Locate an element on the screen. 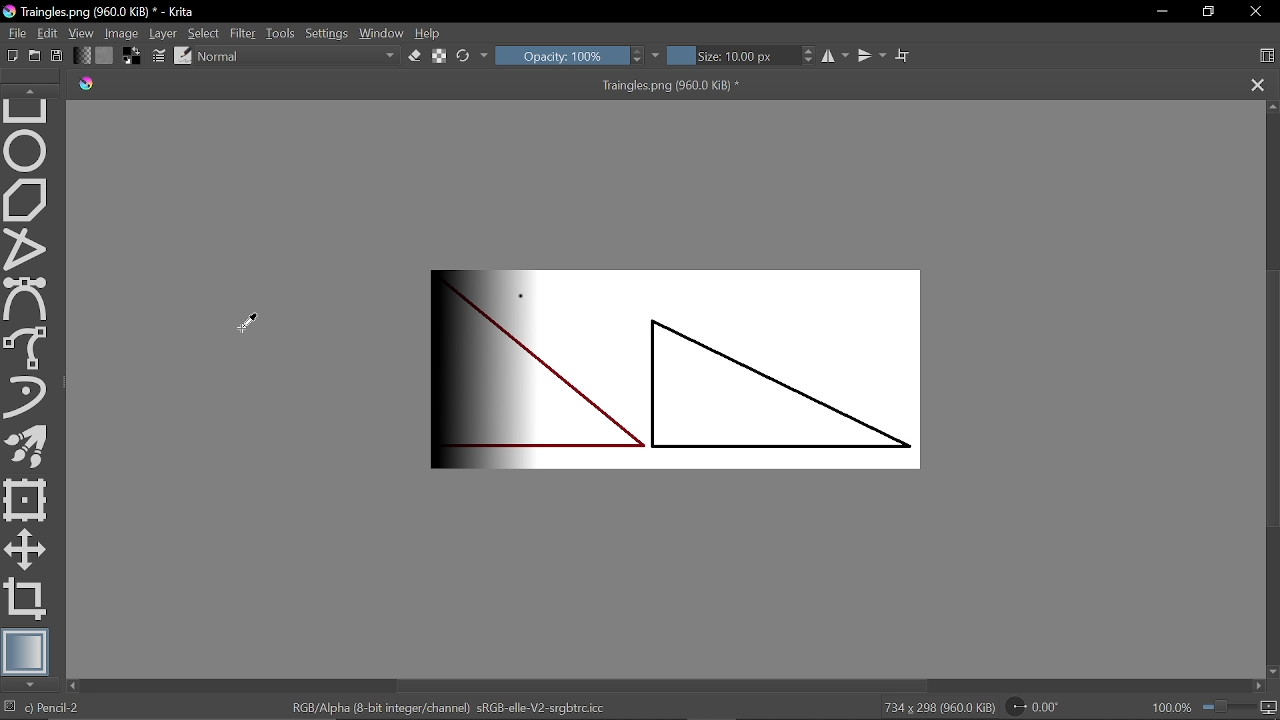  Horizontal scrollbar is located at coordinates (663, 686).